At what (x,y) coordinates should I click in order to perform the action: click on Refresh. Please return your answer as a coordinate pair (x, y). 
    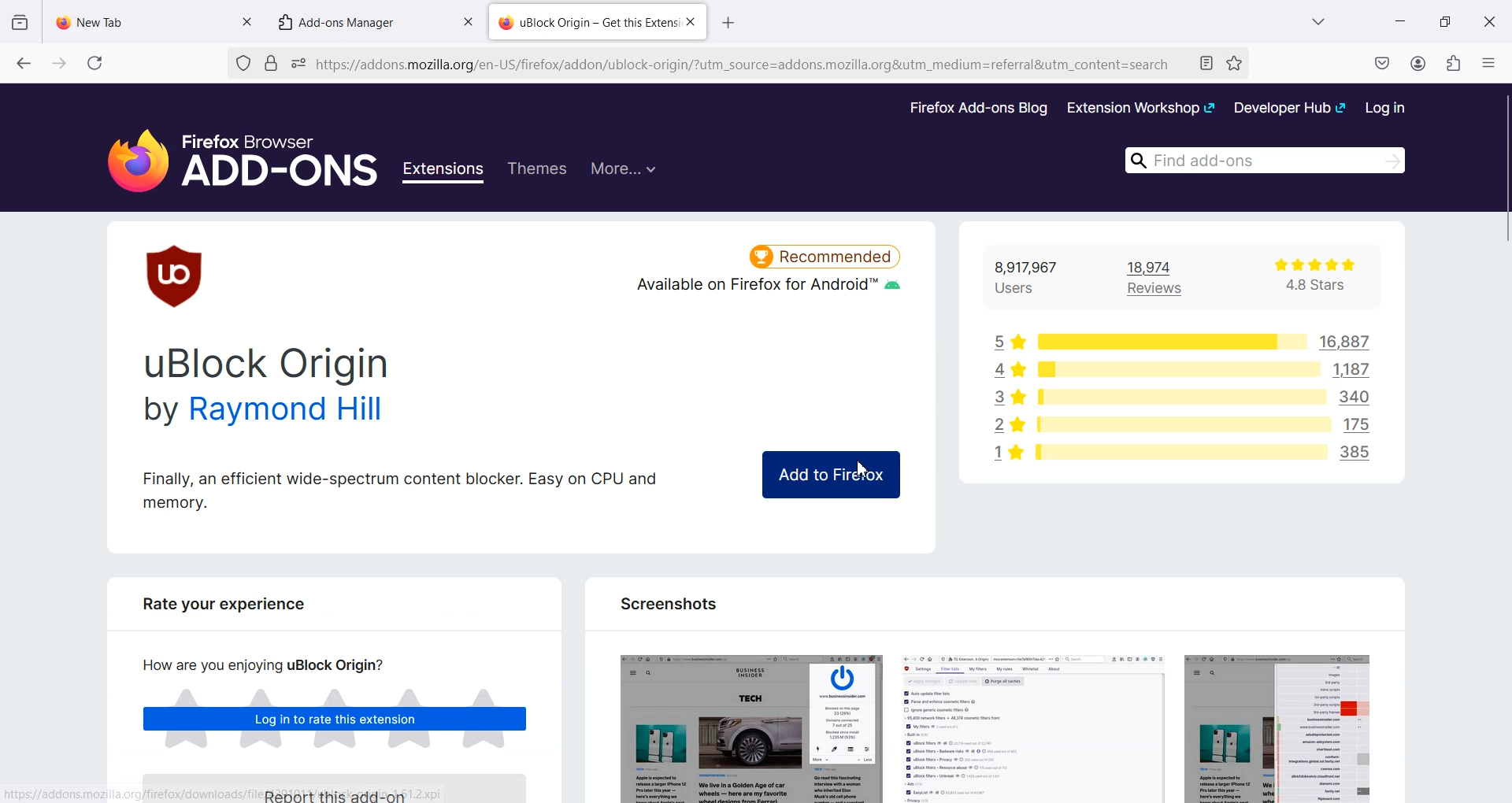
    Looking at the image, I should click on (95, 63).